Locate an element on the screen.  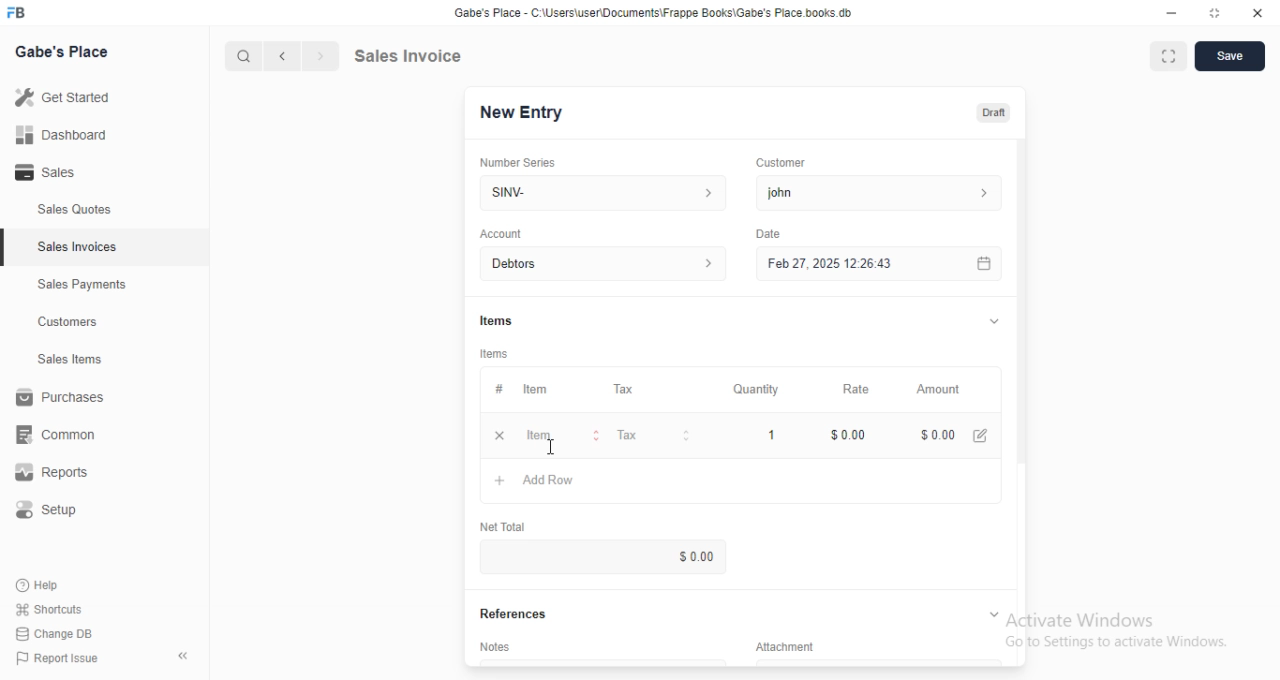
remove row is located at coordinates (502, 437).